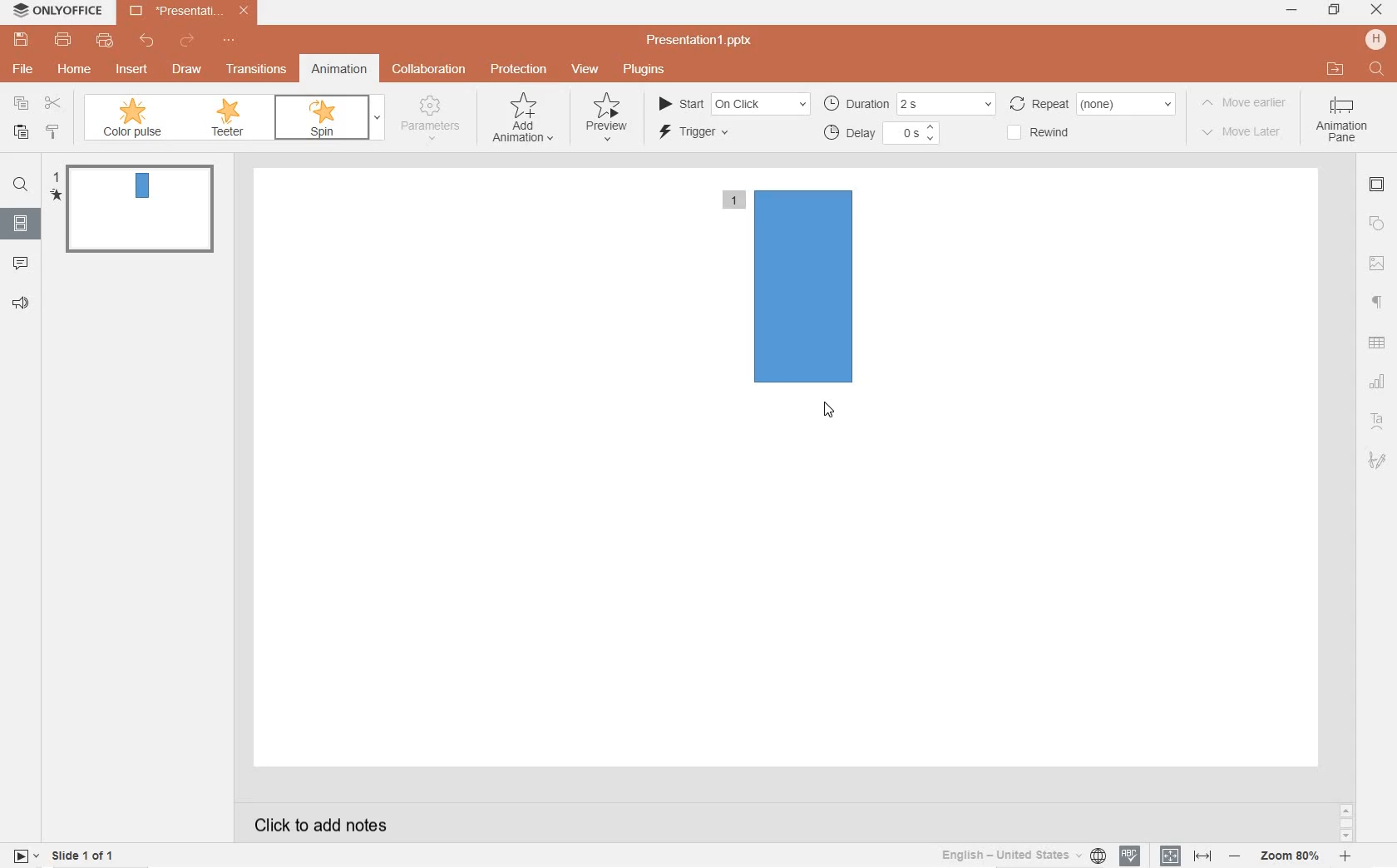  What do you see at coordinates (433, 121) in the screenshot?
I see `parameters` at bounding box center [433, 121].